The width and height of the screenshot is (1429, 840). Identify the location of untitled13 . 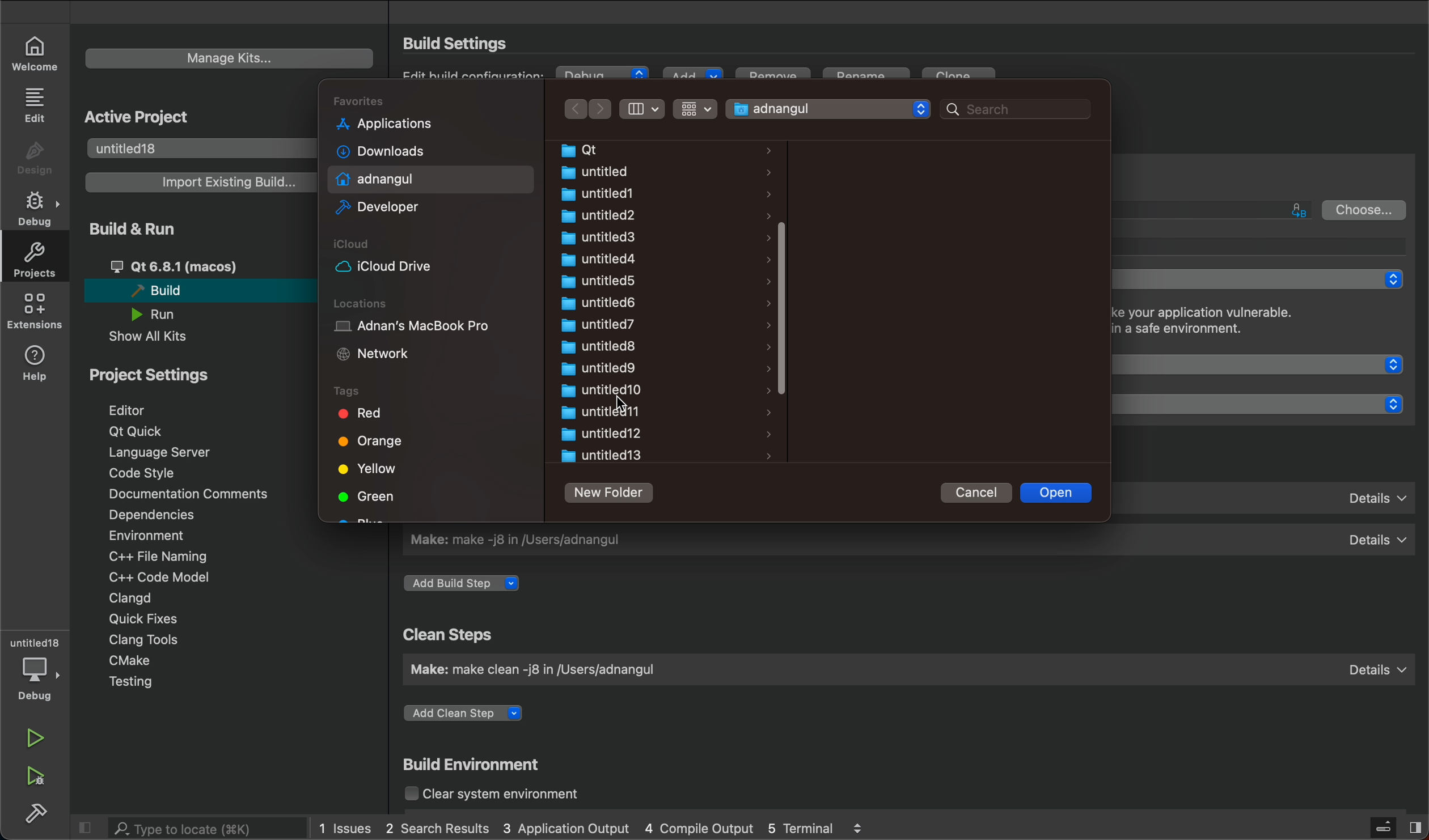
(665, 457).